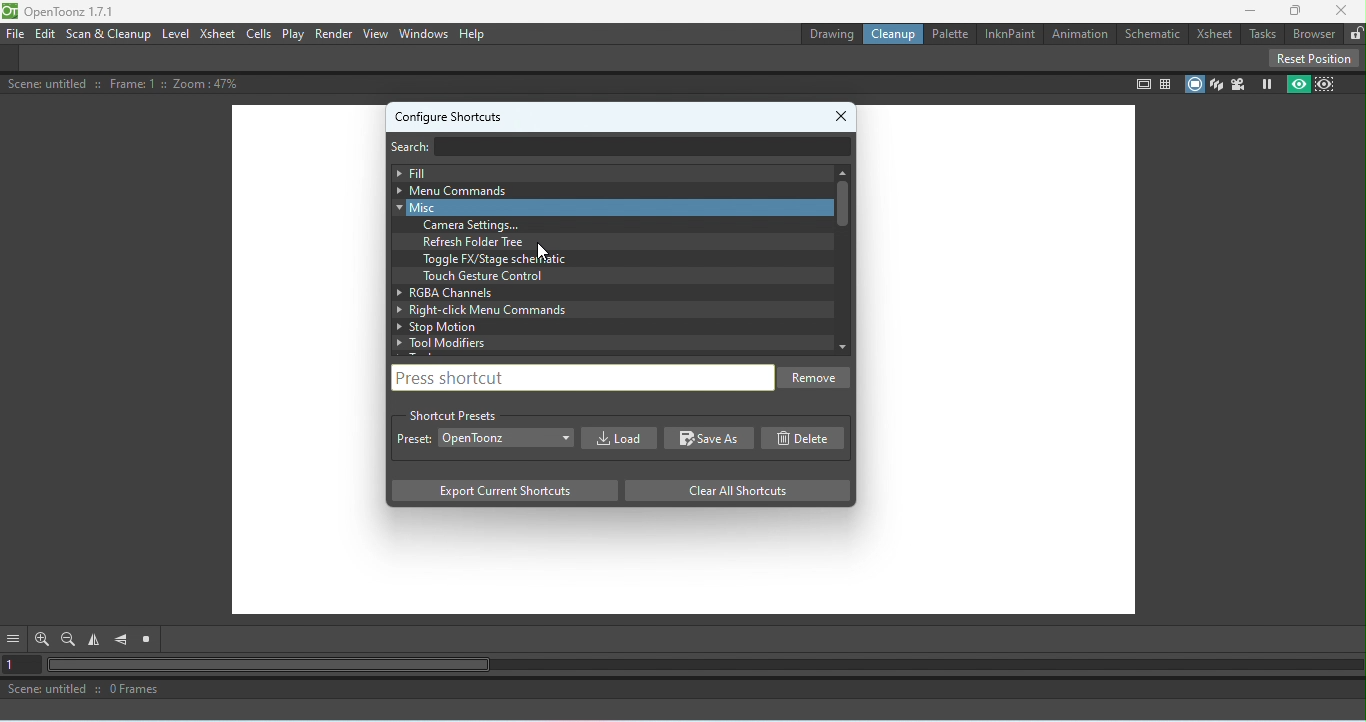  What do you see at coordinates (598, 291) in the screenshot?
I see `RGBA Channels` at bounding box center [598, 291].